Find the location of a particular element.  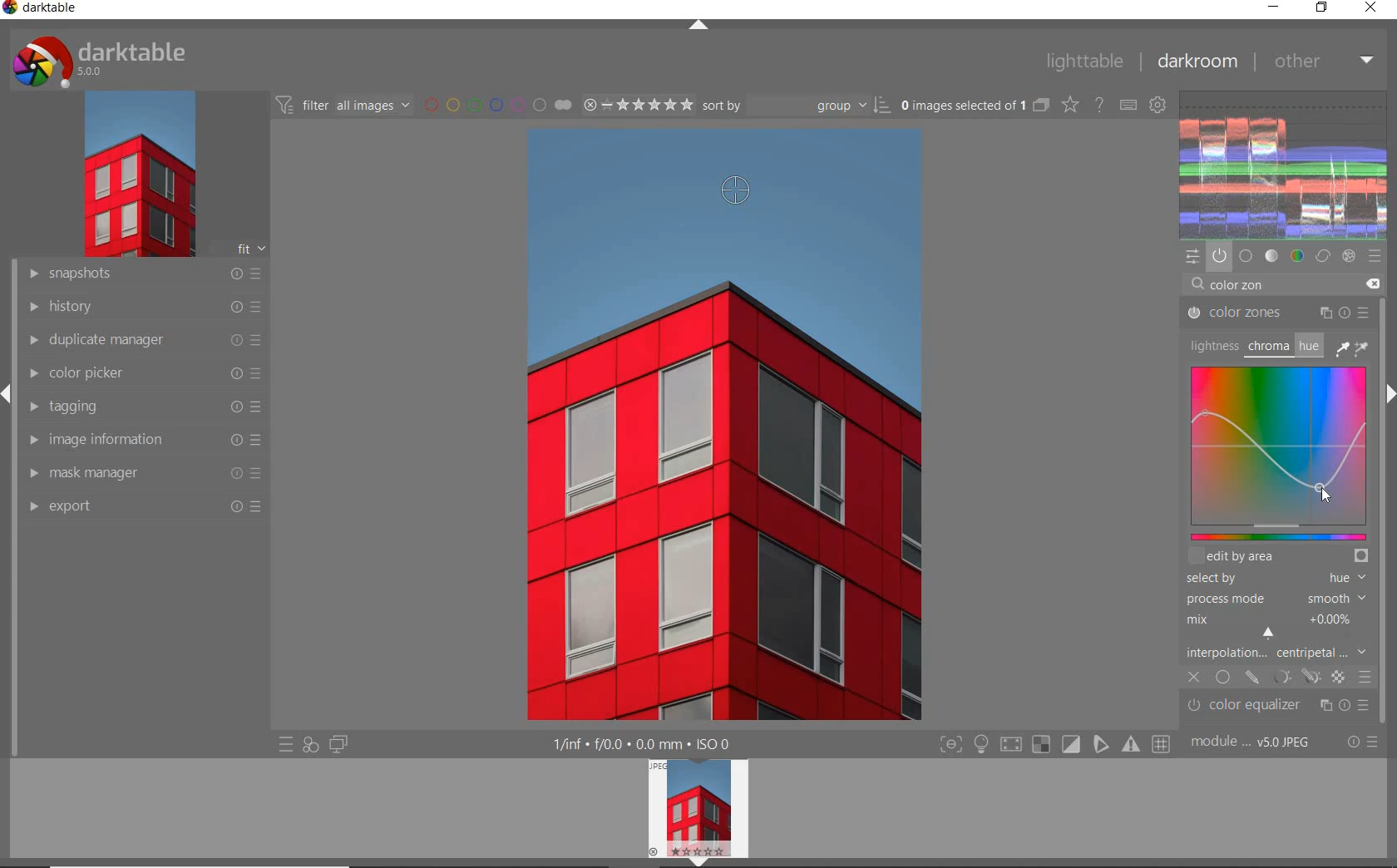

quick access to presets is located at coordinates (286, 746).